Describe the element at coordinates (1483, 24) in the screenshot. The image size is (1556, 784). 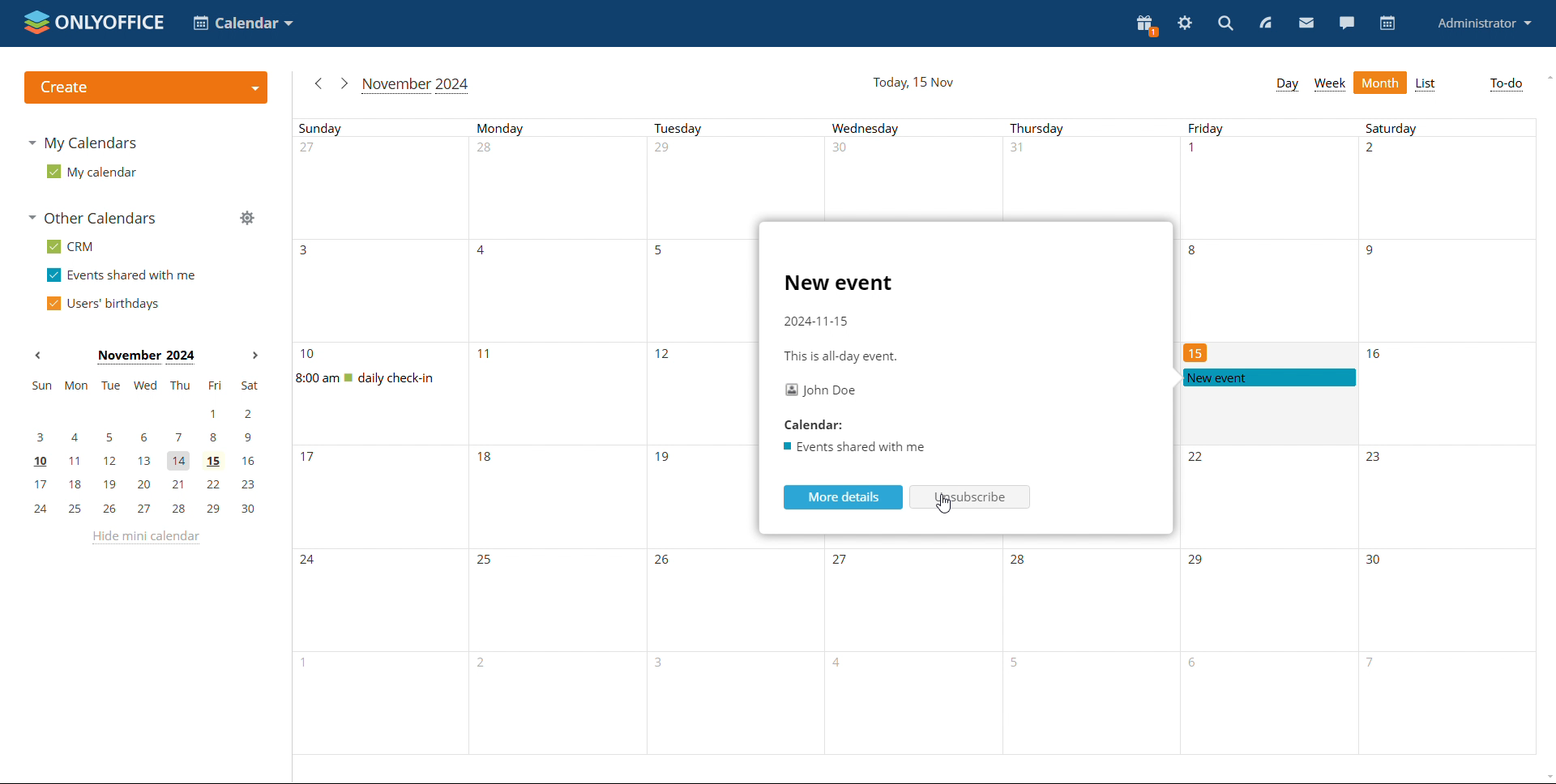
I see `profile` at that location.